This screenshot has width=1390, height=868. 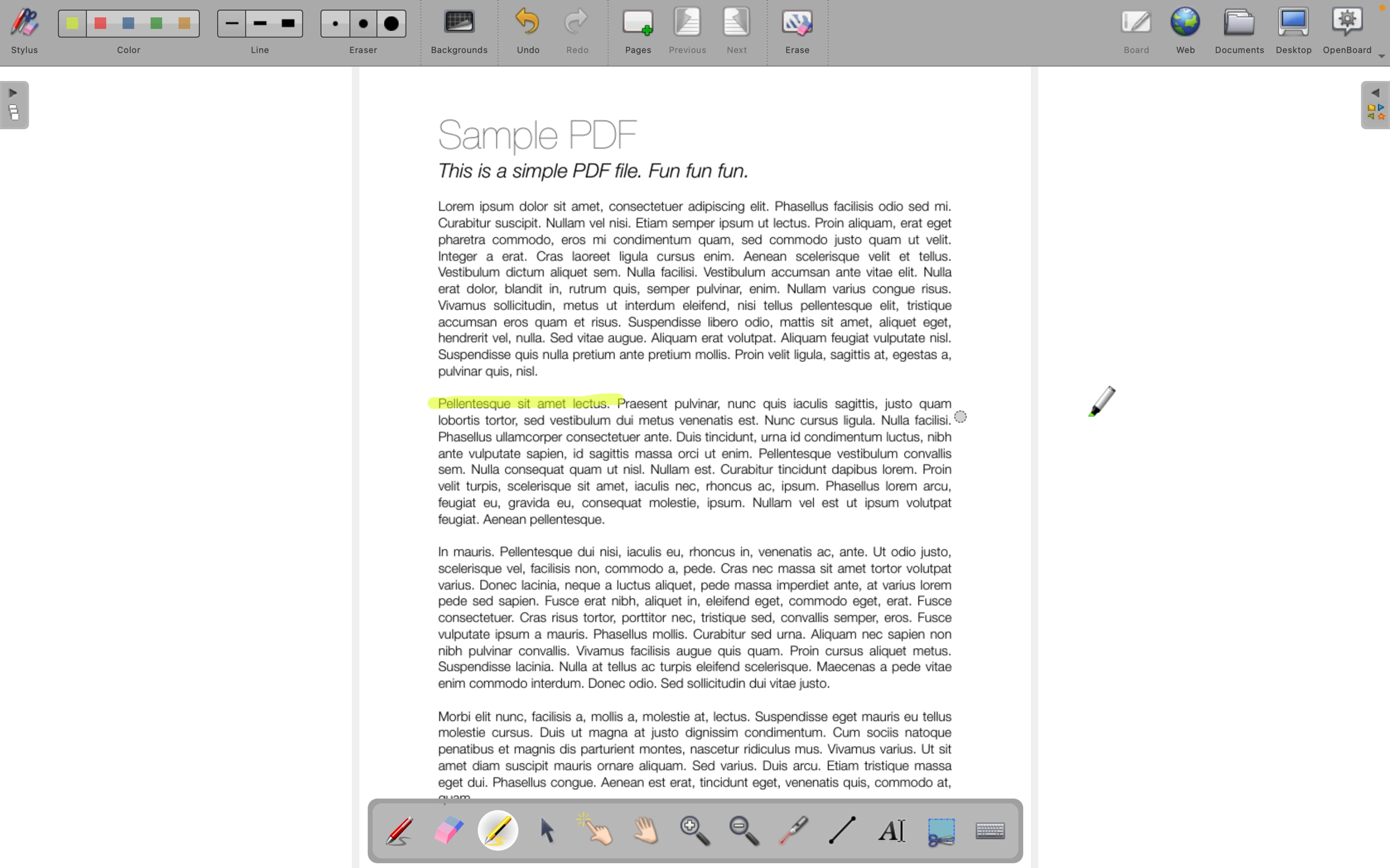 I want to click on text, so click(x=791, y=406).